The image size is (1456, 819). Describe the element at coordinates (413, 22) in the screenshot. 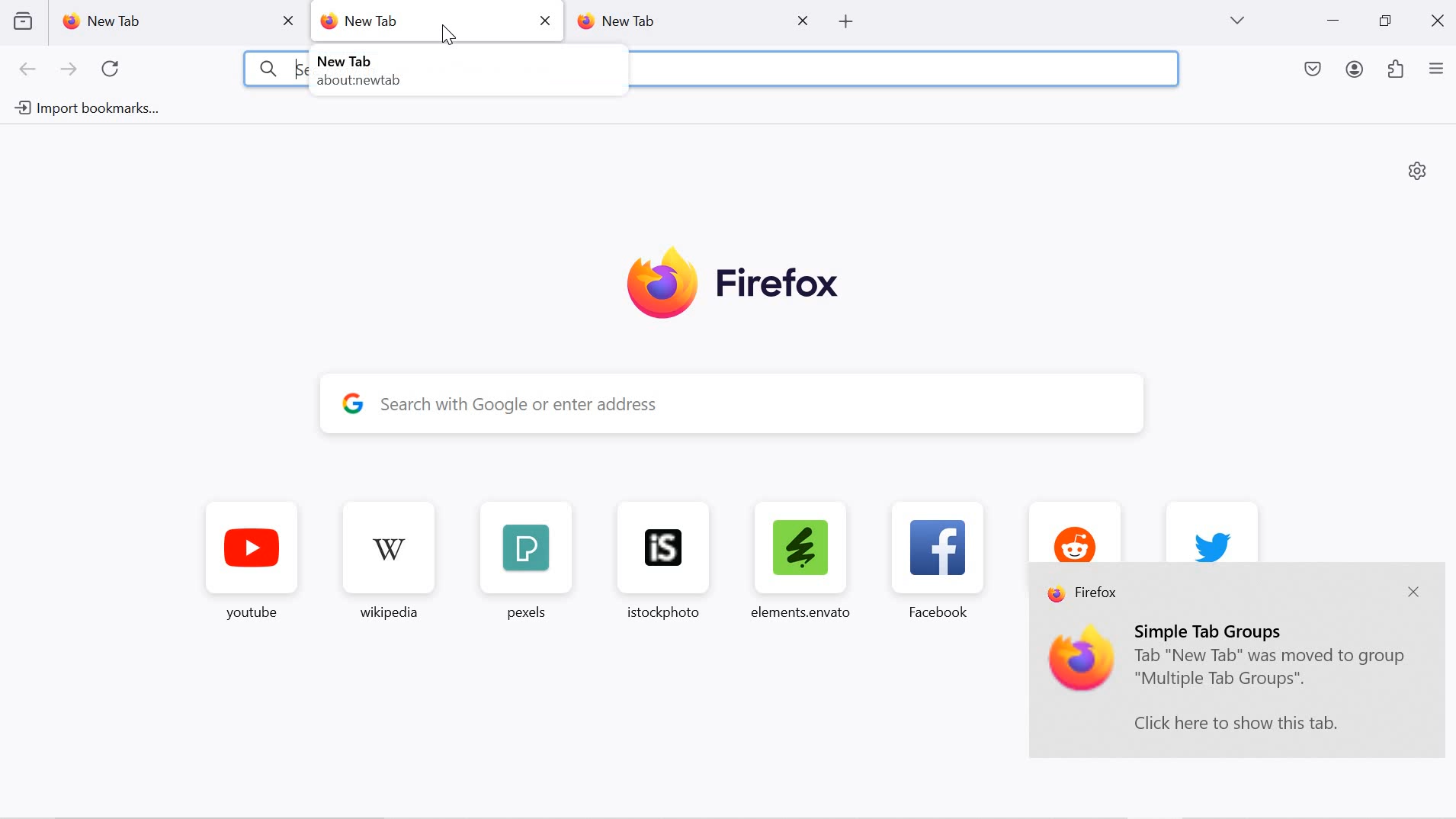

I see `new tab` at that location.